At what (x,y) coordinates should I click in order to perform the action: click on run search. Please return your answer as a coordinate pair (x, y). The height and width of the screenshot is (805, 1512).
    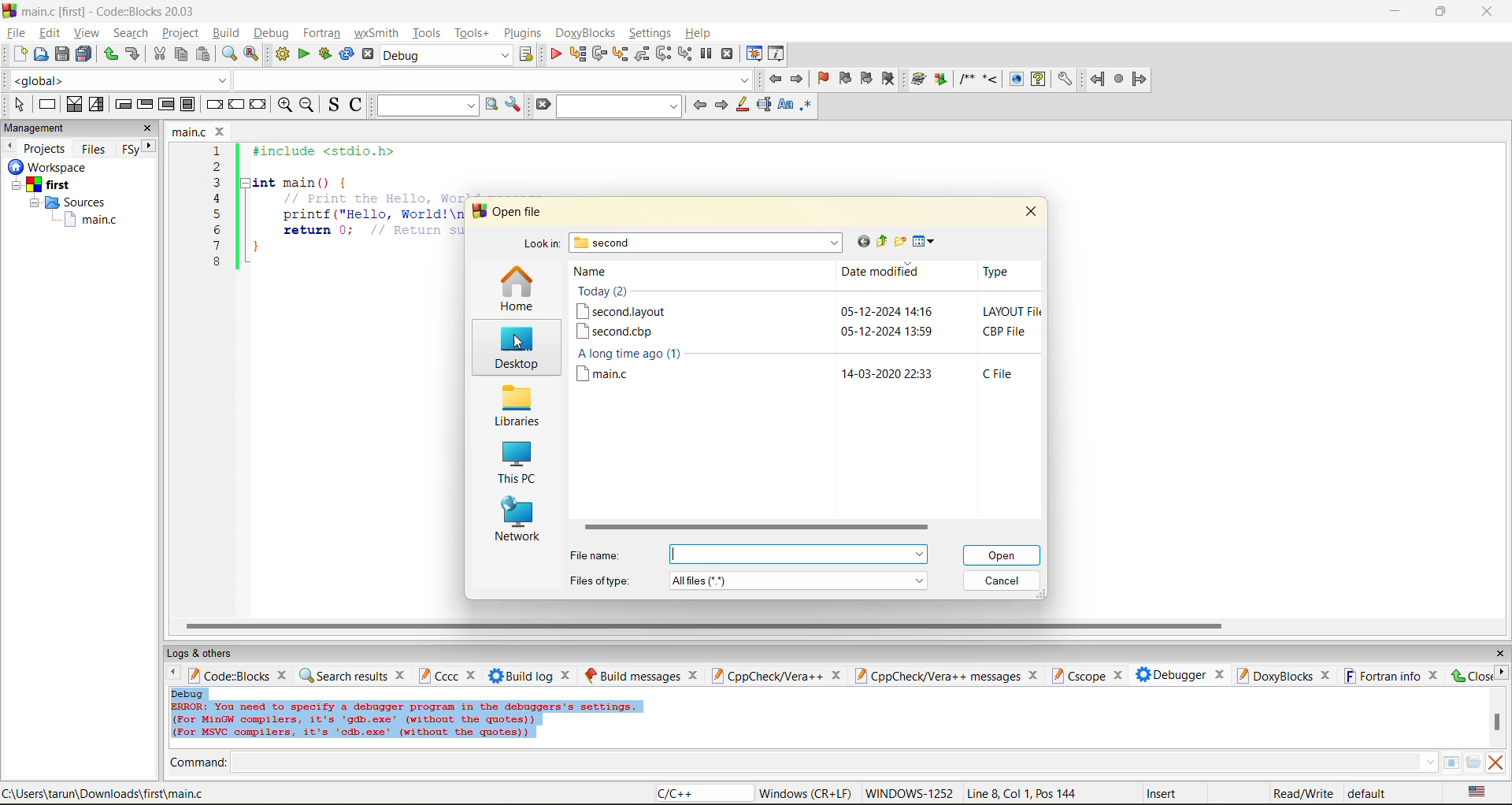
    Looking at the image, I should click on (491, 105).